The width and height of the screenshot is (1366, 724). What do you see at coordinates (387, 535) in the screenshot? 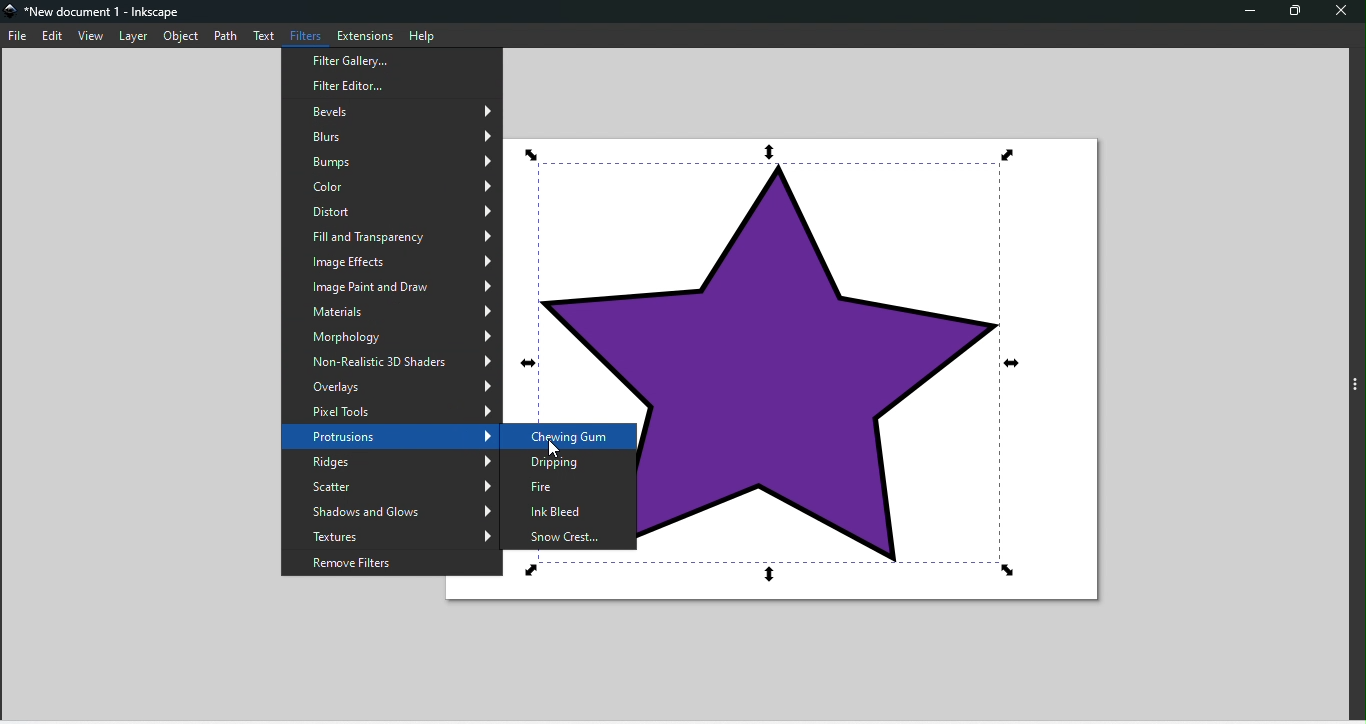
I see `Textures` at bounding box center [387, 535].